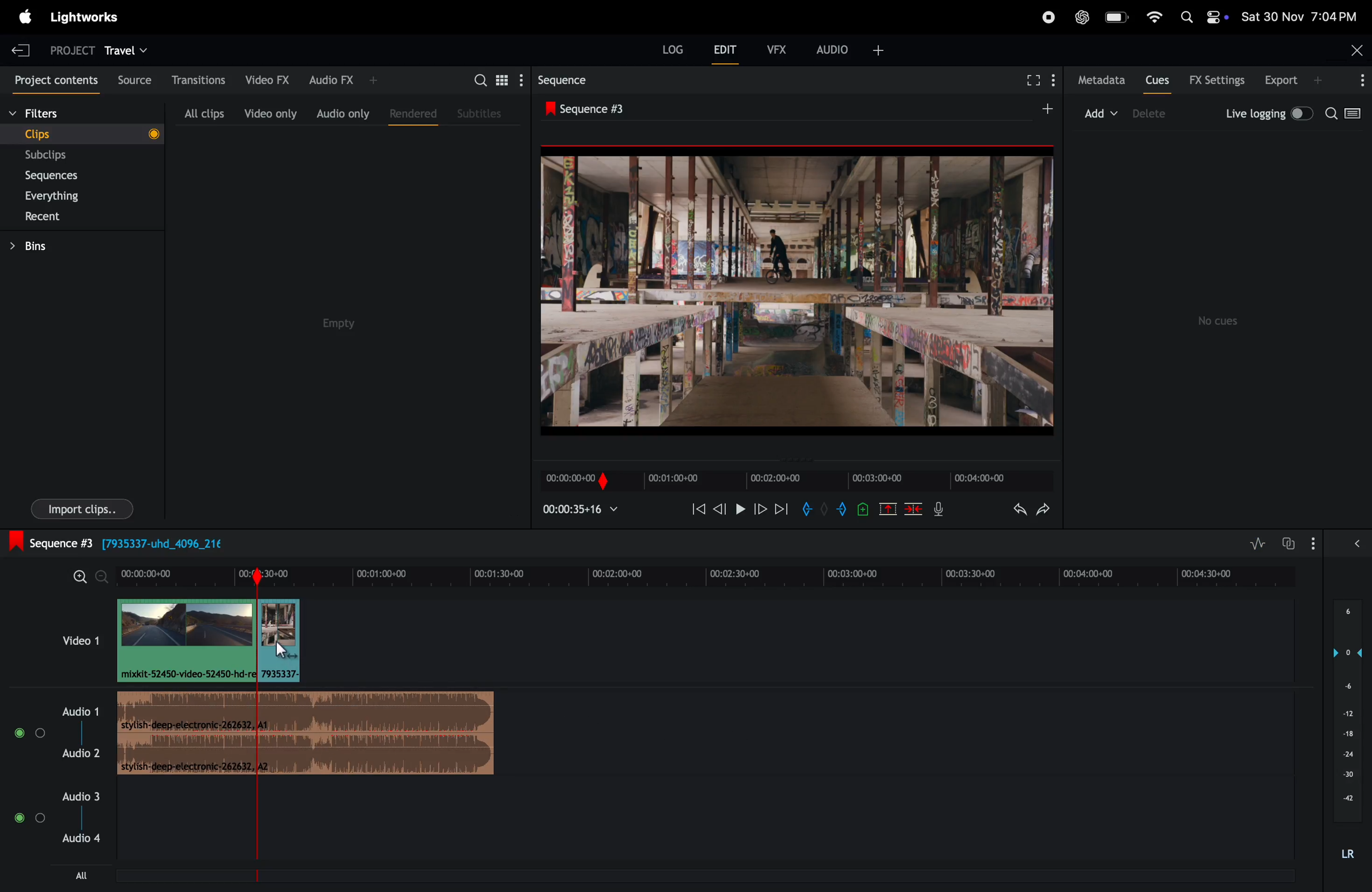 Image resolution: width=1372 pixels, height=892 pixels. What do you see at coordinates (1047, 508) in the screenshot?
I see `redo` at bounding box center [1047, 508].